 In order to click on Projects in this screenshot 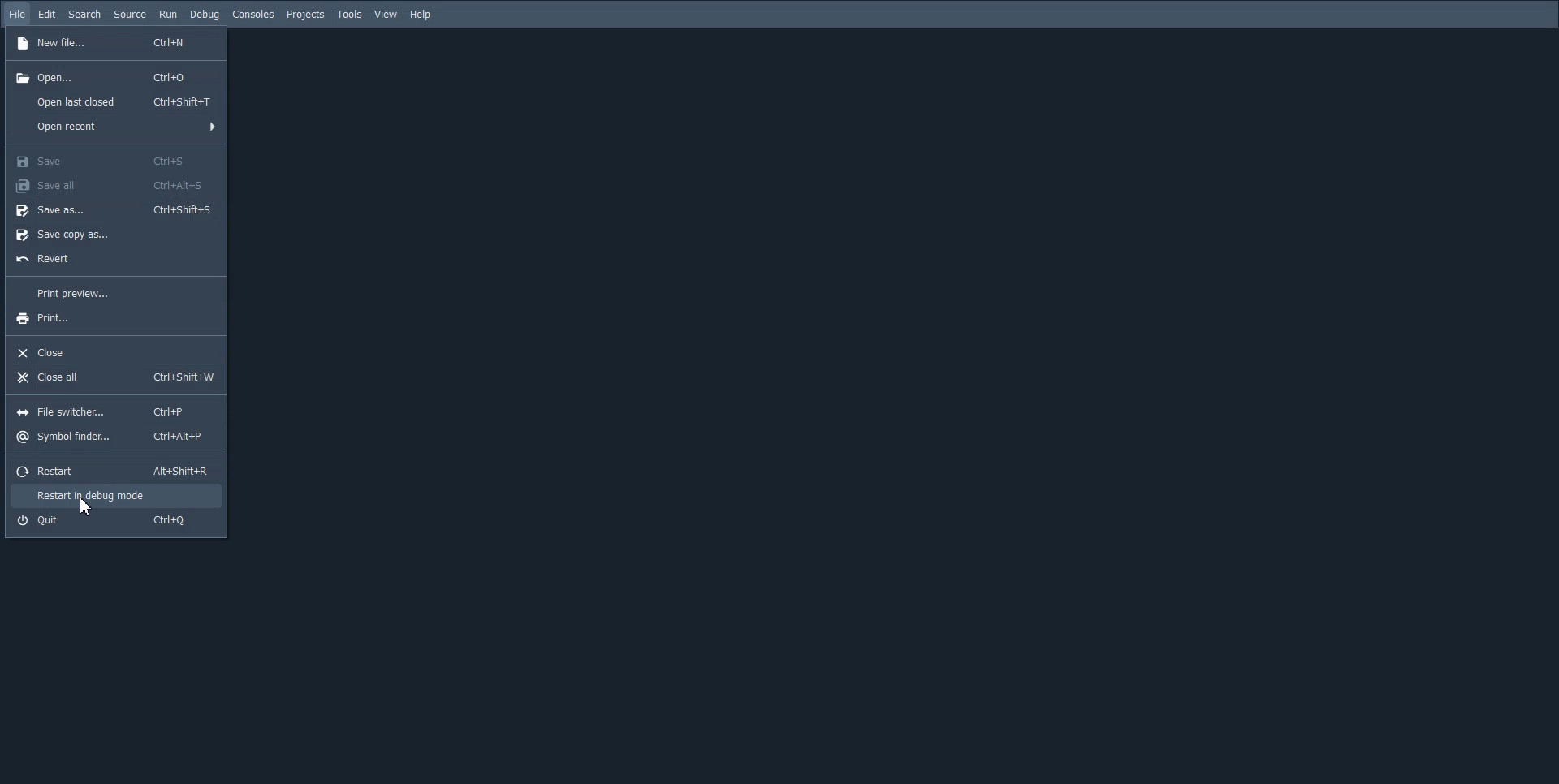, I will do `click(305, 15)`.